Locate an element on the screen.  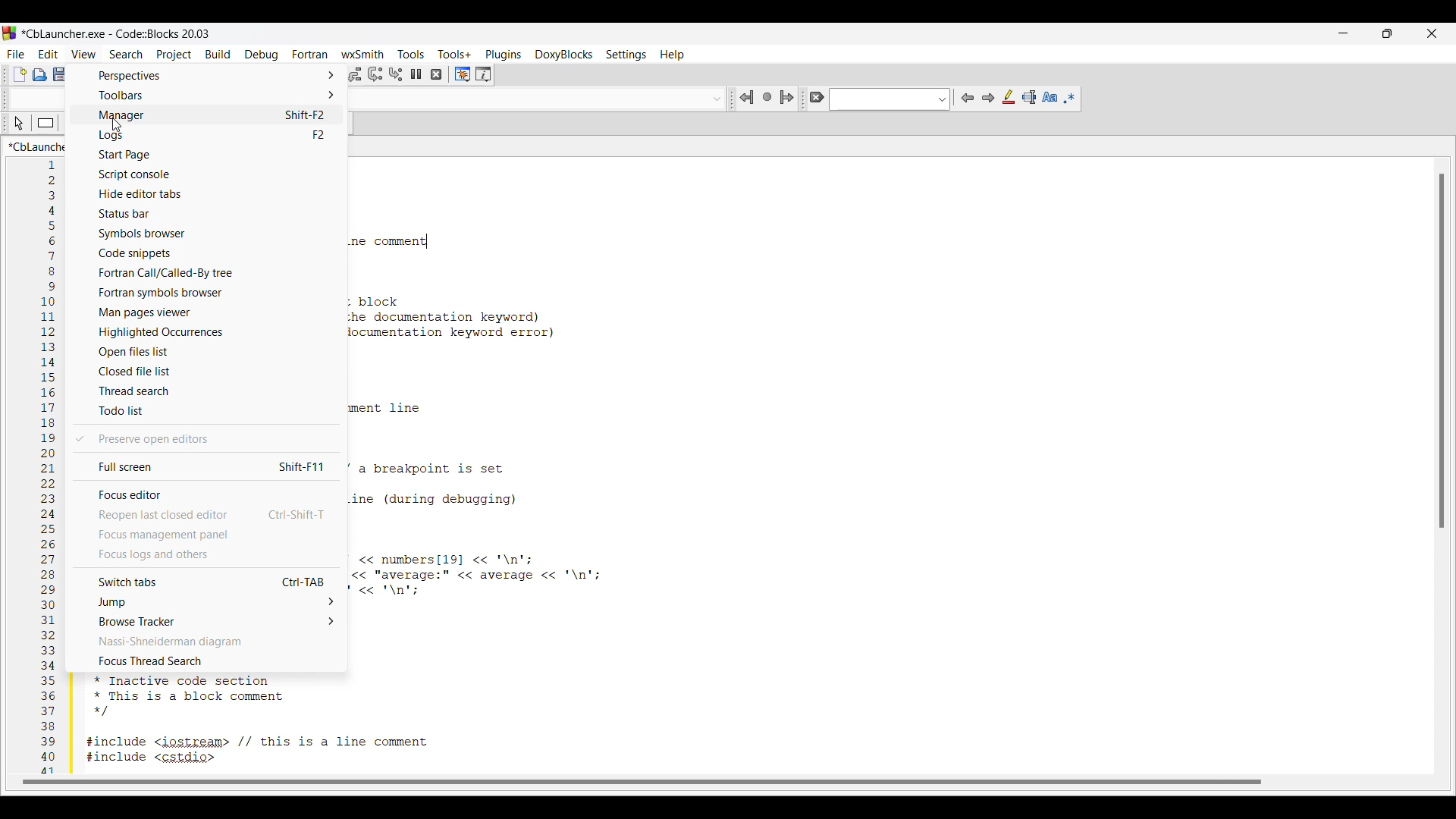
Logs is located at coordinates (206, 135).